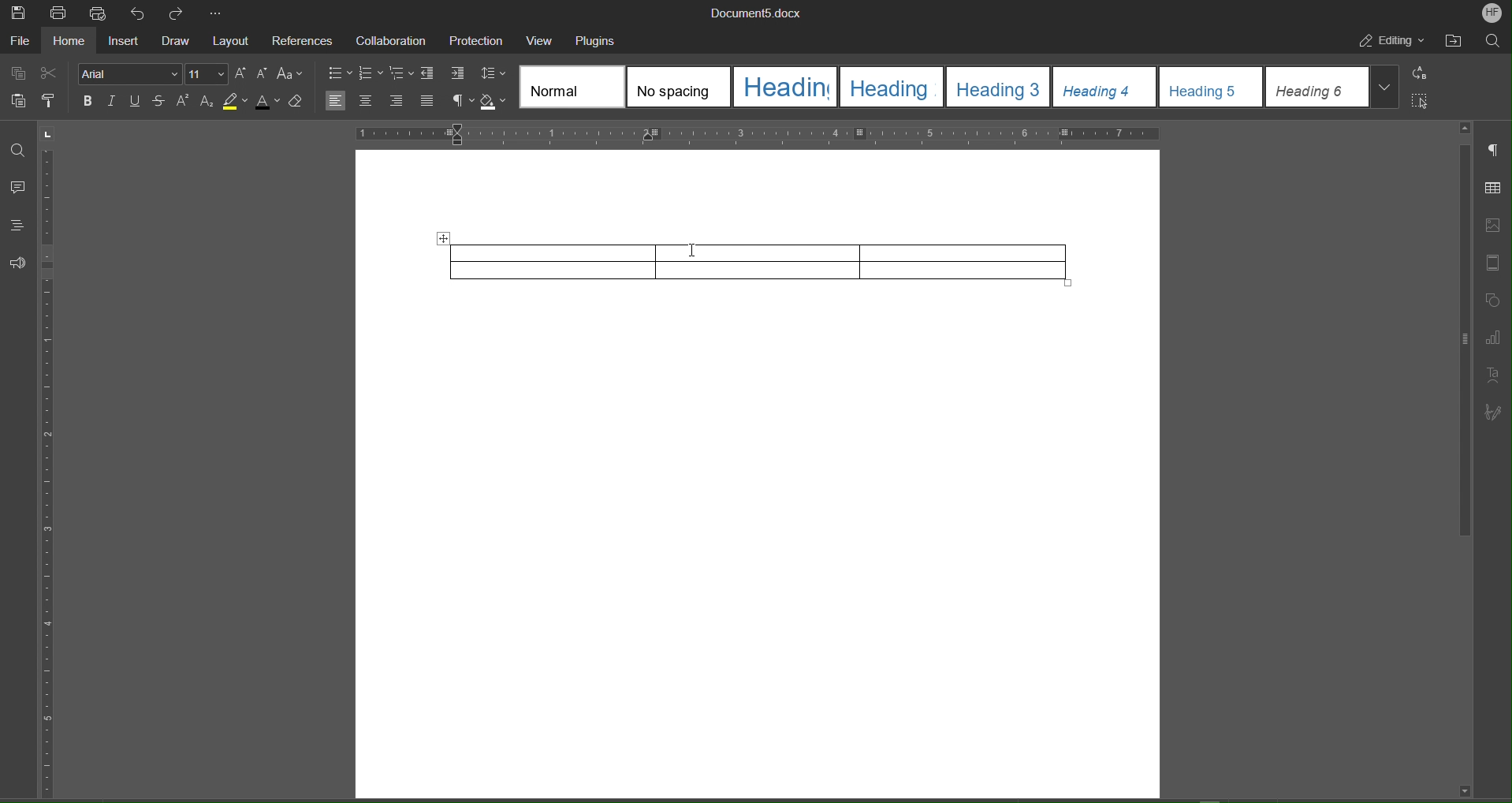 Image resolution: width=1512 pixels, height=803 pixels. Describe the element at coordinates (298, 101) in the screenshot. I see `Erase Style` at that location.